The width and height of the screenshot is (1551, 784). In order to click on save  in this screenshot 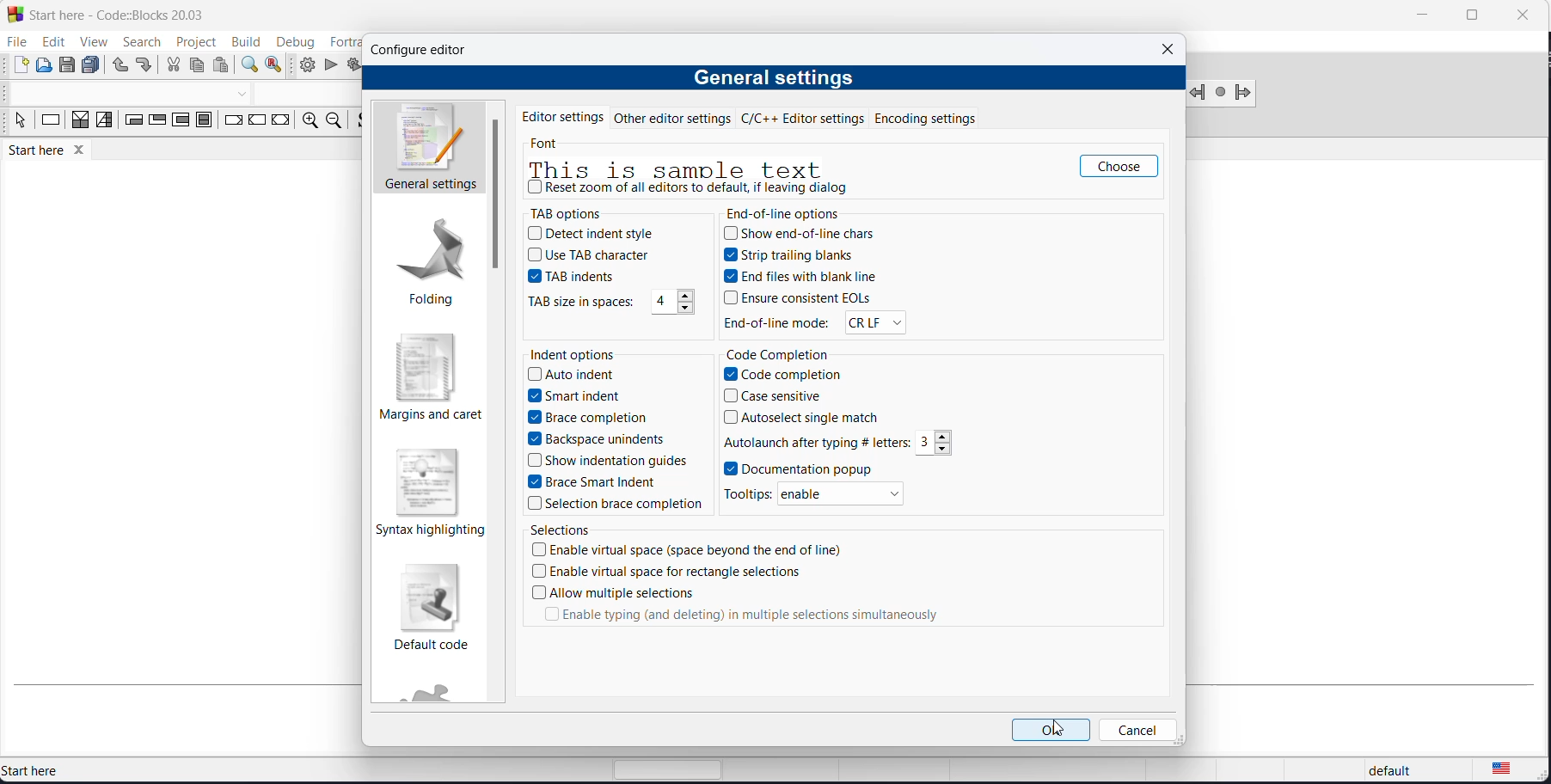, I will do `click(69, 65)`.